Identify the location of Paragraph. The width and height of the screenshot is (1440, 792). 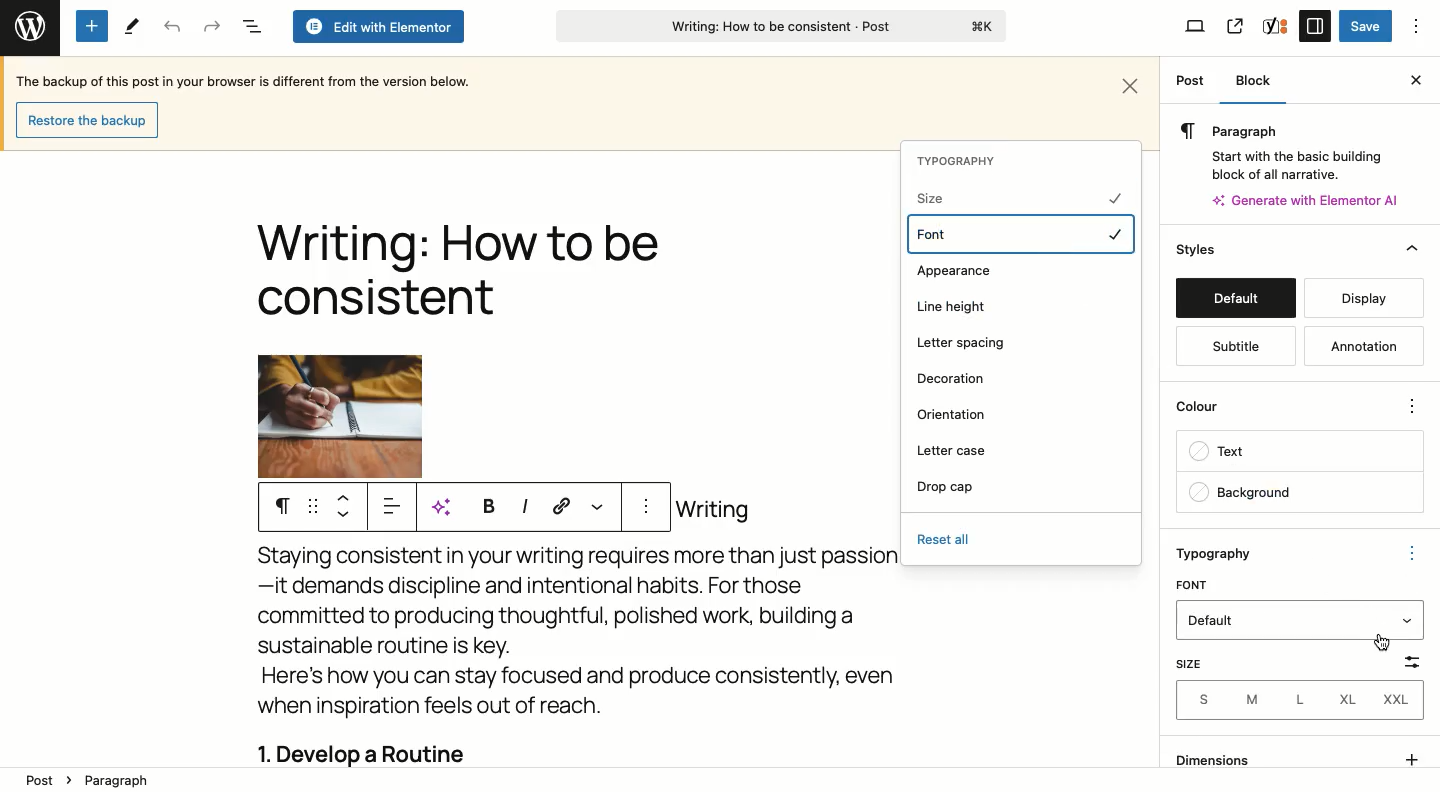
(1285, 130).